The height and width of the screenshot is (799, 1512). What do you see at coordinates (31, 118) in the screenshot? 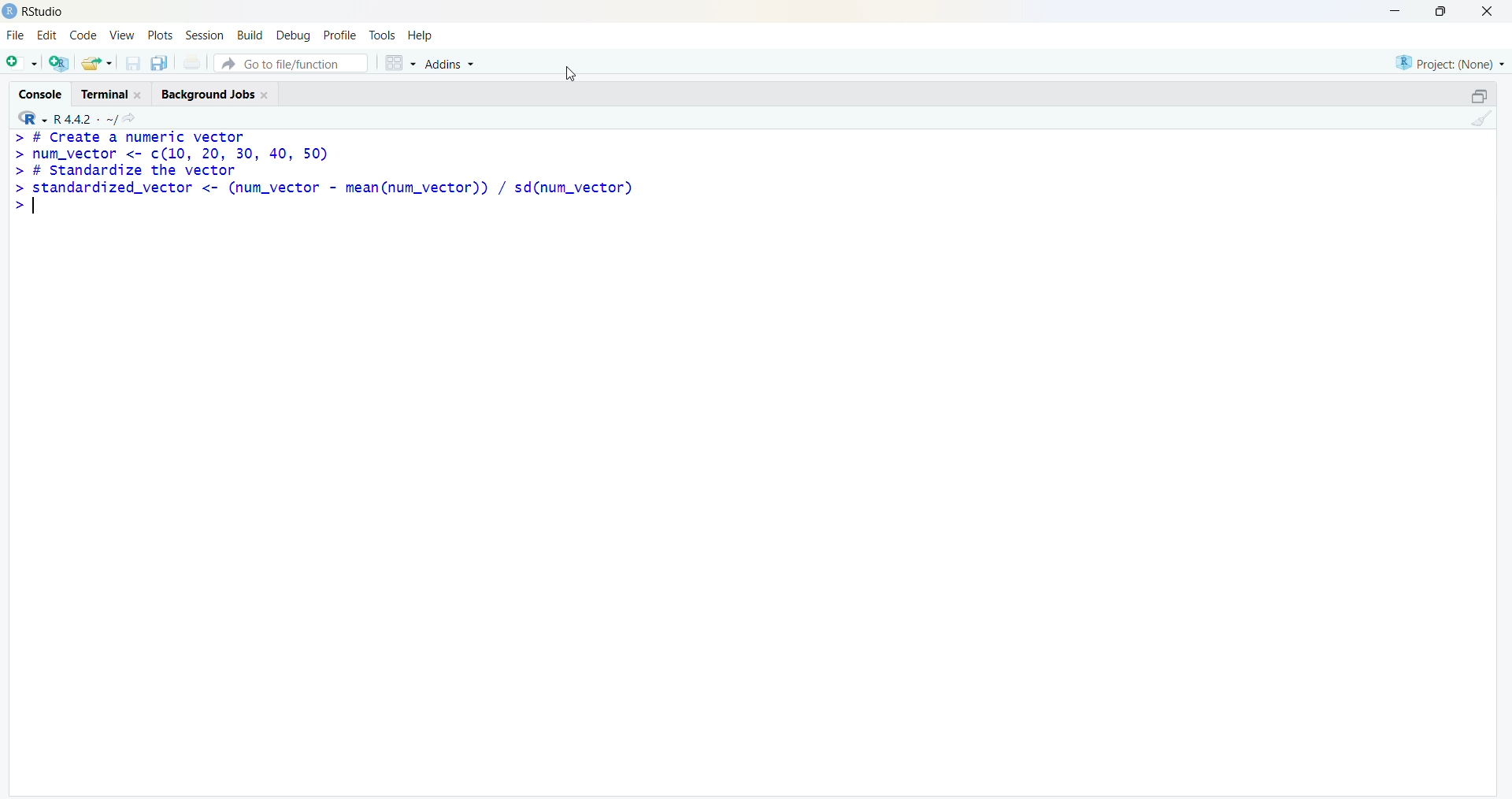
I see `R` at bounding box center [31, 118].